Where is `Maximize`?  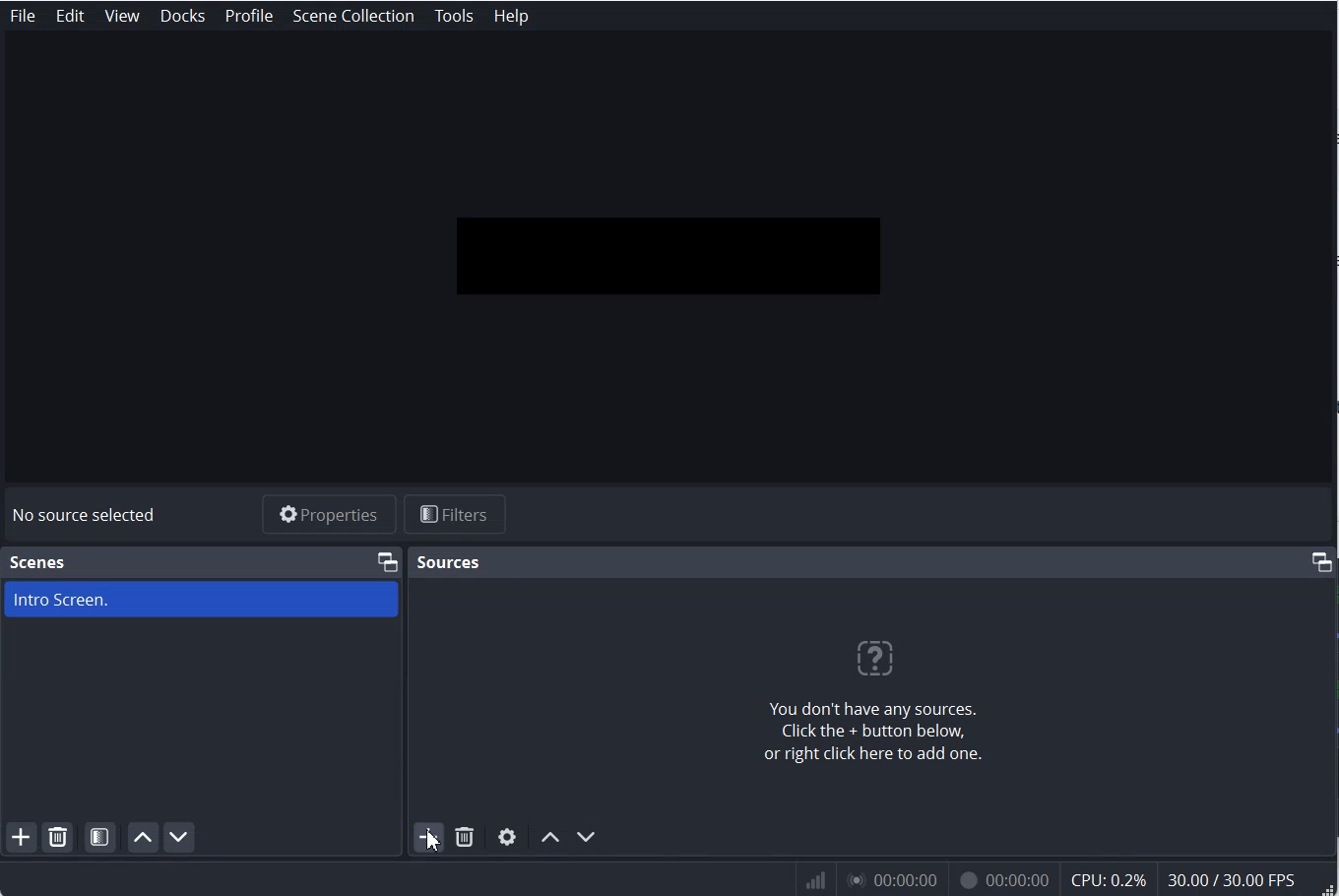 Maximize is located at coordinates (387, 560).